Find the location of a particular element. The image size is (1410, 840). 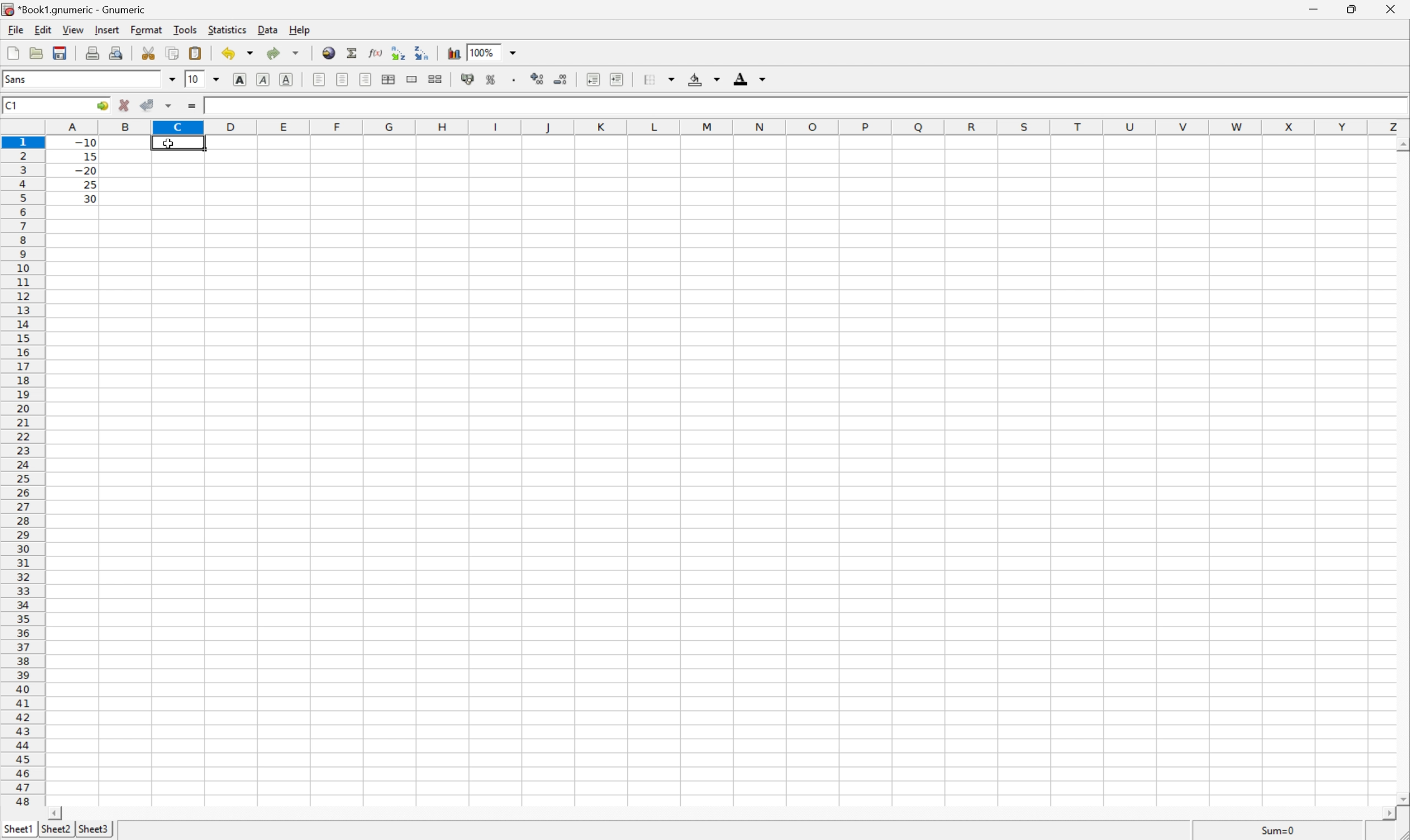

Scroll left is located at coordinates (57, 812).